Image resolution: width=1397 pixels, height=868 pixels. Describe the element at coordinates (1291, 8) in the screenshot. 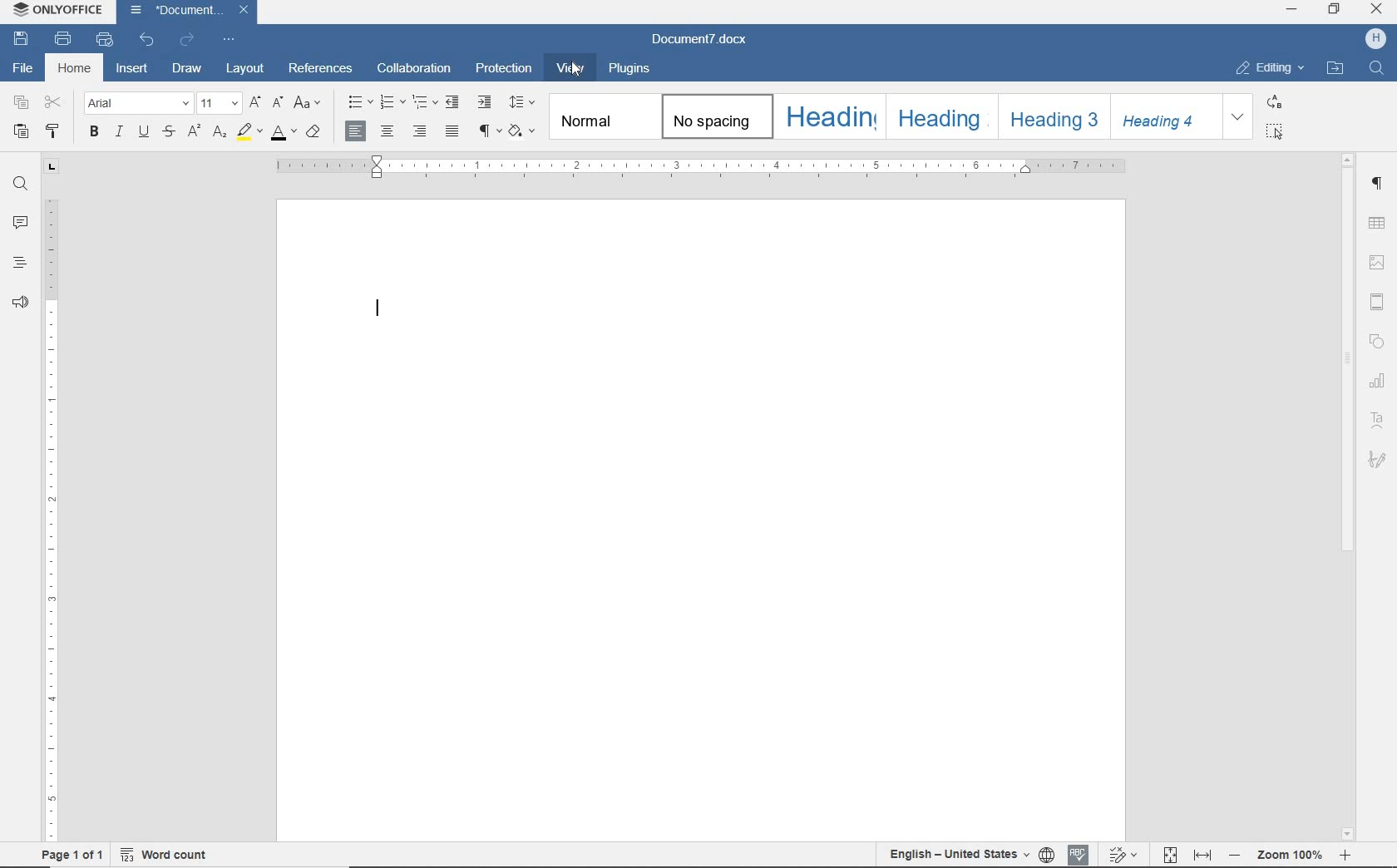

I see `MINIMIZE` at that location.